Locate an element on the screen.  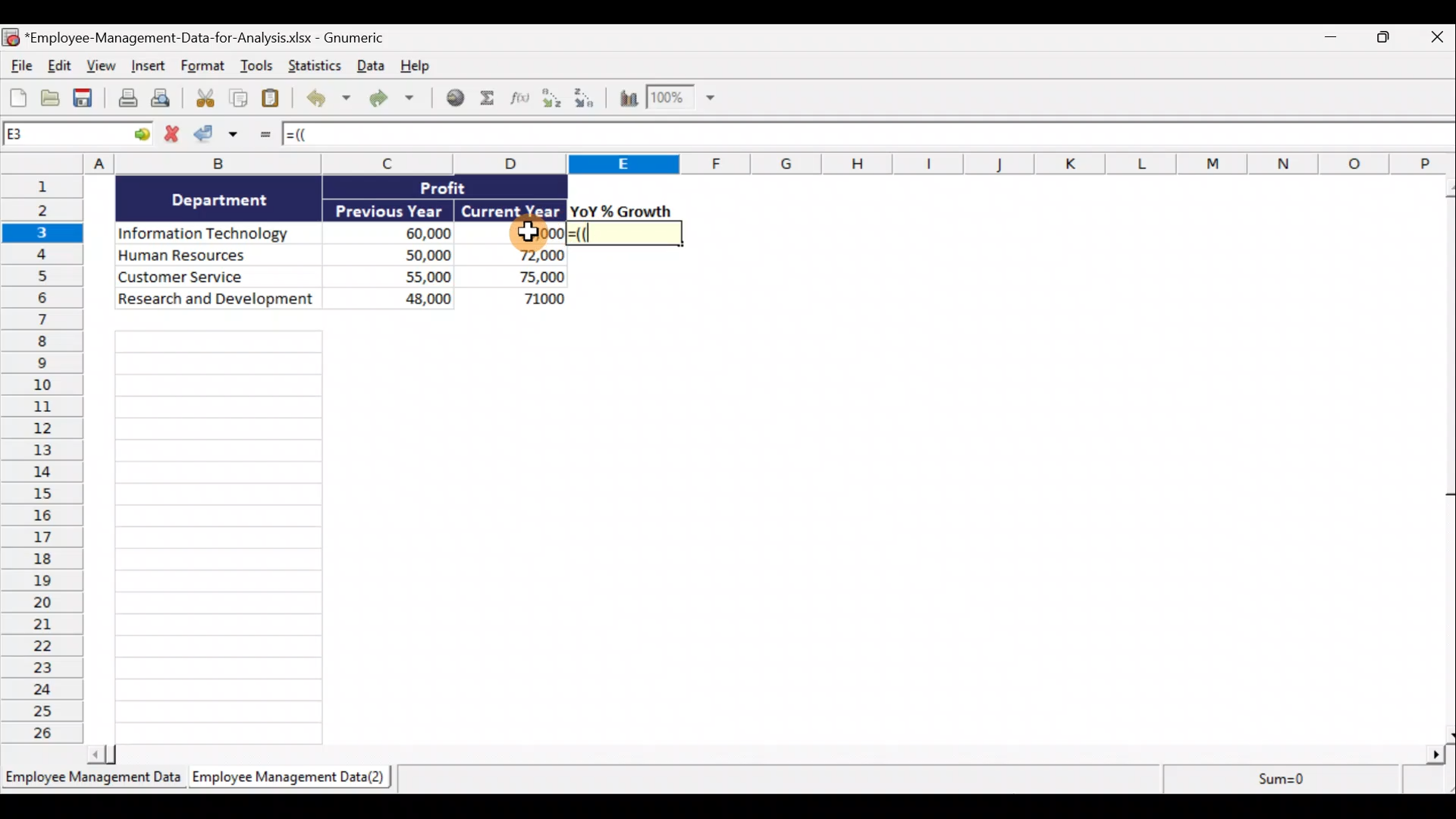
Document name is located at coordinates (208, 36).